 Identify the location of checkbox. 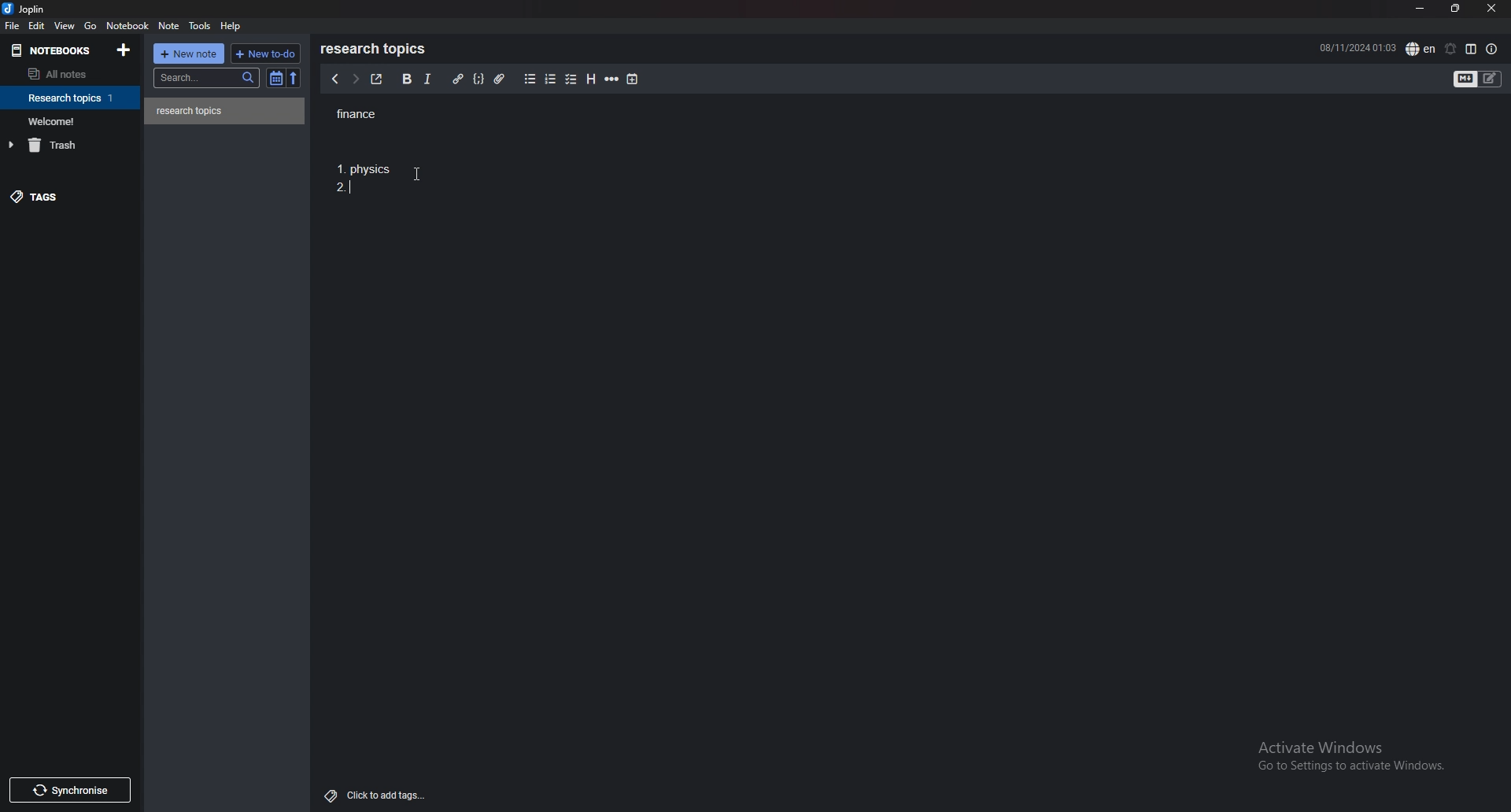
(571, 79).